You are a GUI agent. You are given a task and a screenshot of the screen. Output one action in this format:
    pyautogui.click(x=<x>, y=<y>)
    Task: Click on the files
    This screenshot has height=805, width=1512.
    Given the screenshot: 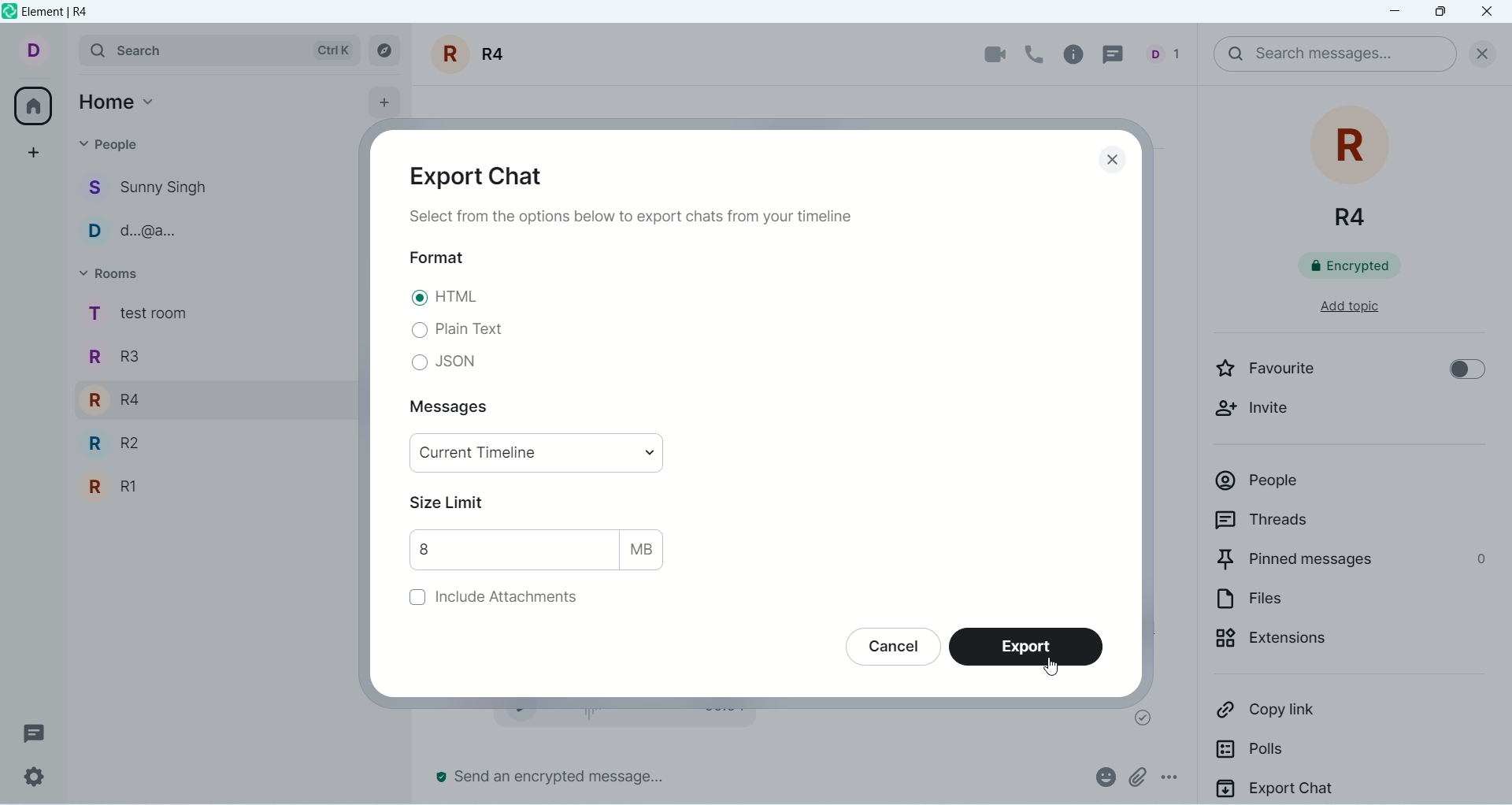 What is the action you would take?
    pyautogui.click(x=1313, y=599)
    